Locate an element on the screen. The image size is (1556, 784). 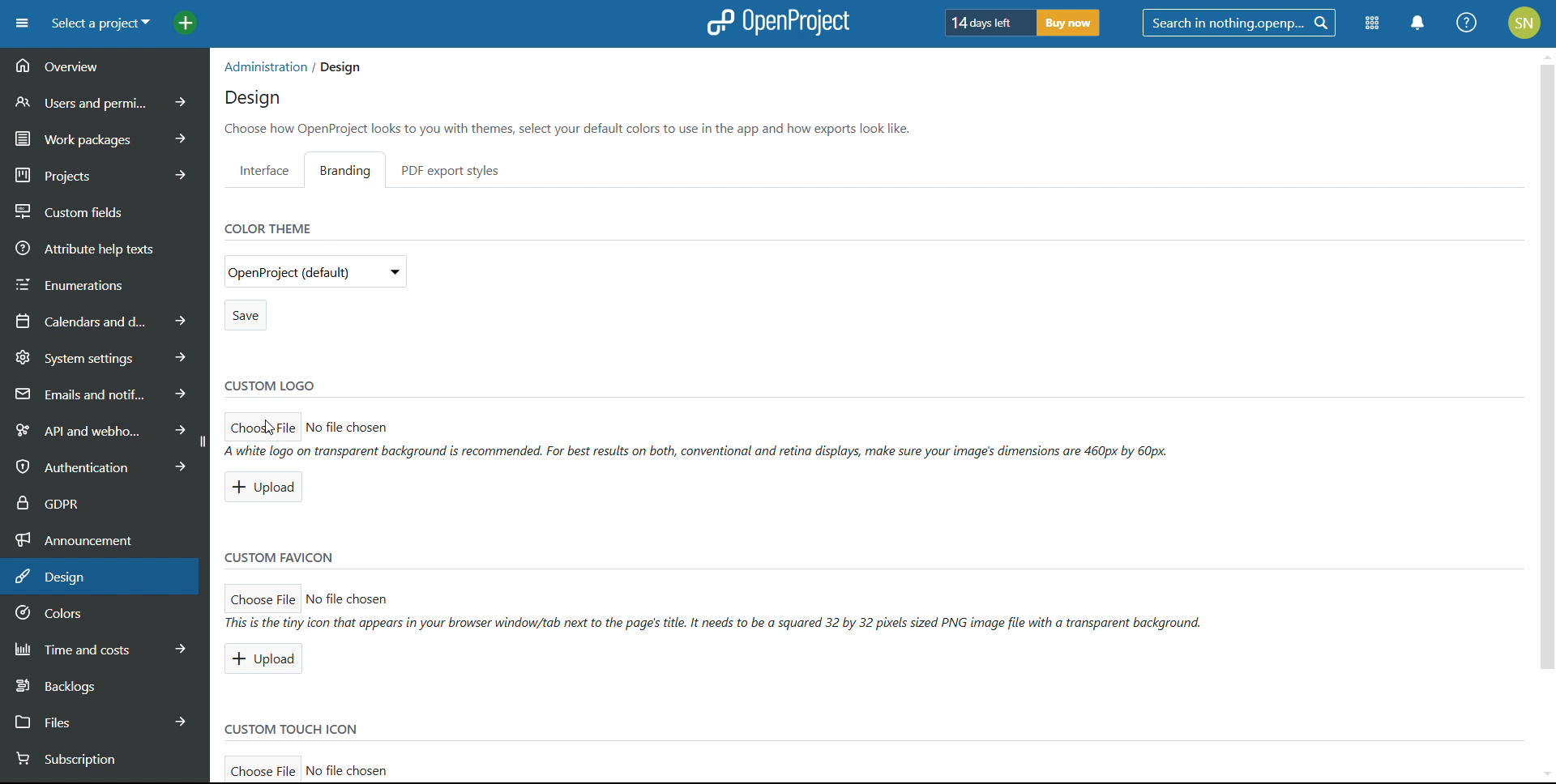
help is located at coordinates (1468, 23).